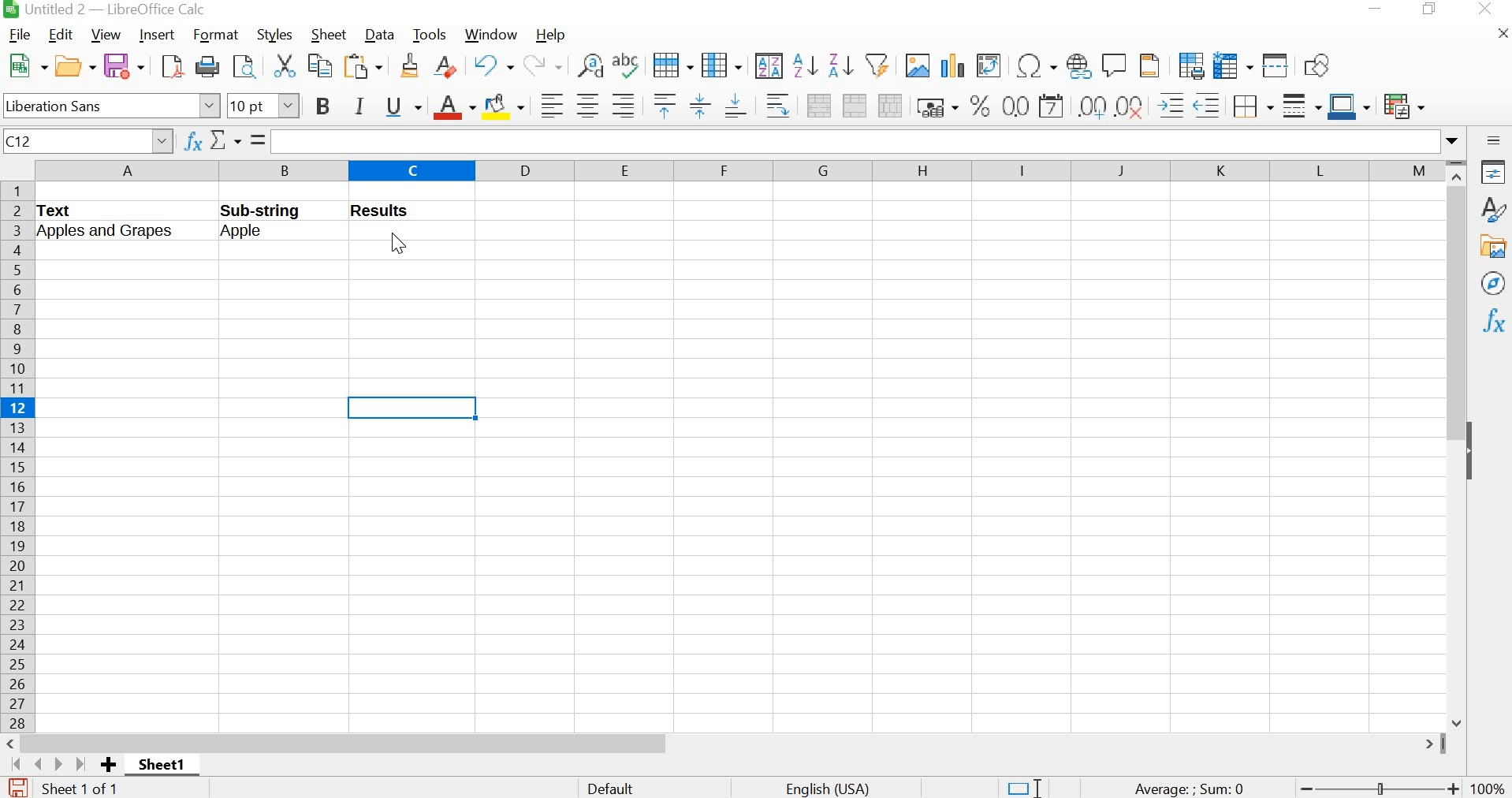 The image size is (1512, 798). I want to click on toggle print preview, so click(244, 66).